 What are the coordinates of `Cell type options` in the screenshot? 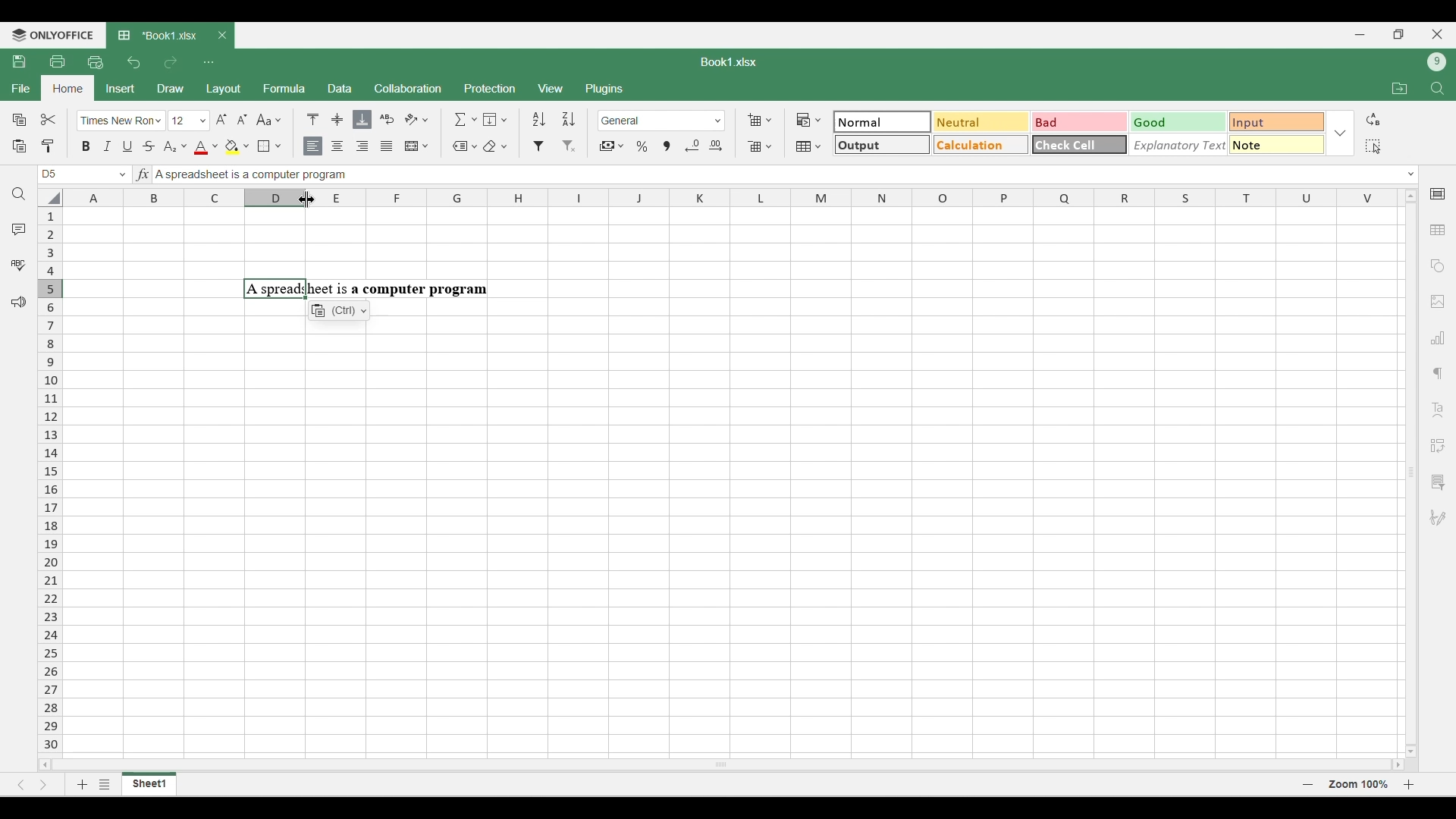 It's located at (1080, 133).